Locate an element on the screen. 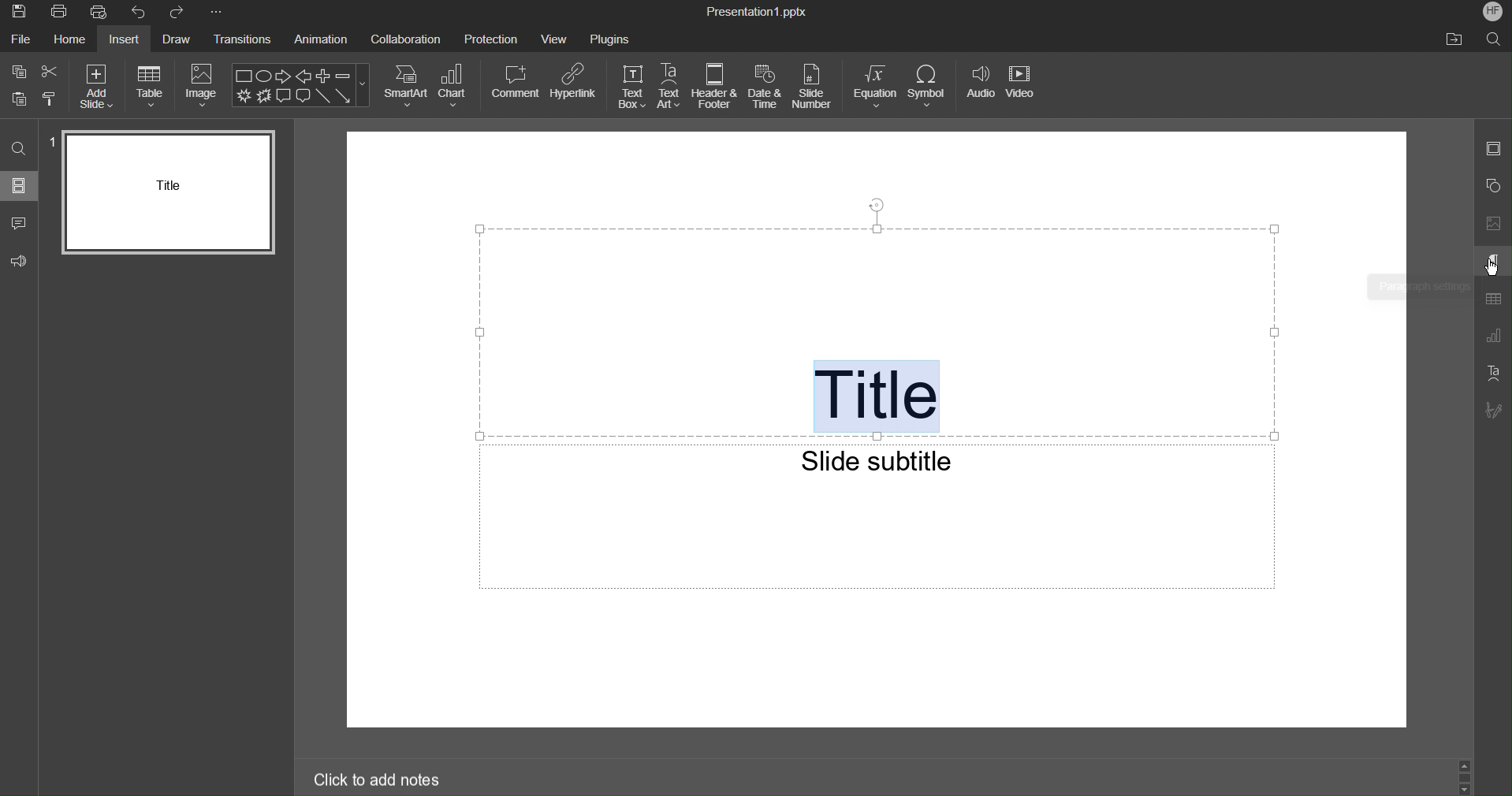 This screenshot has width=1512, height=796. TextArt is located at coordinates (672, 86).